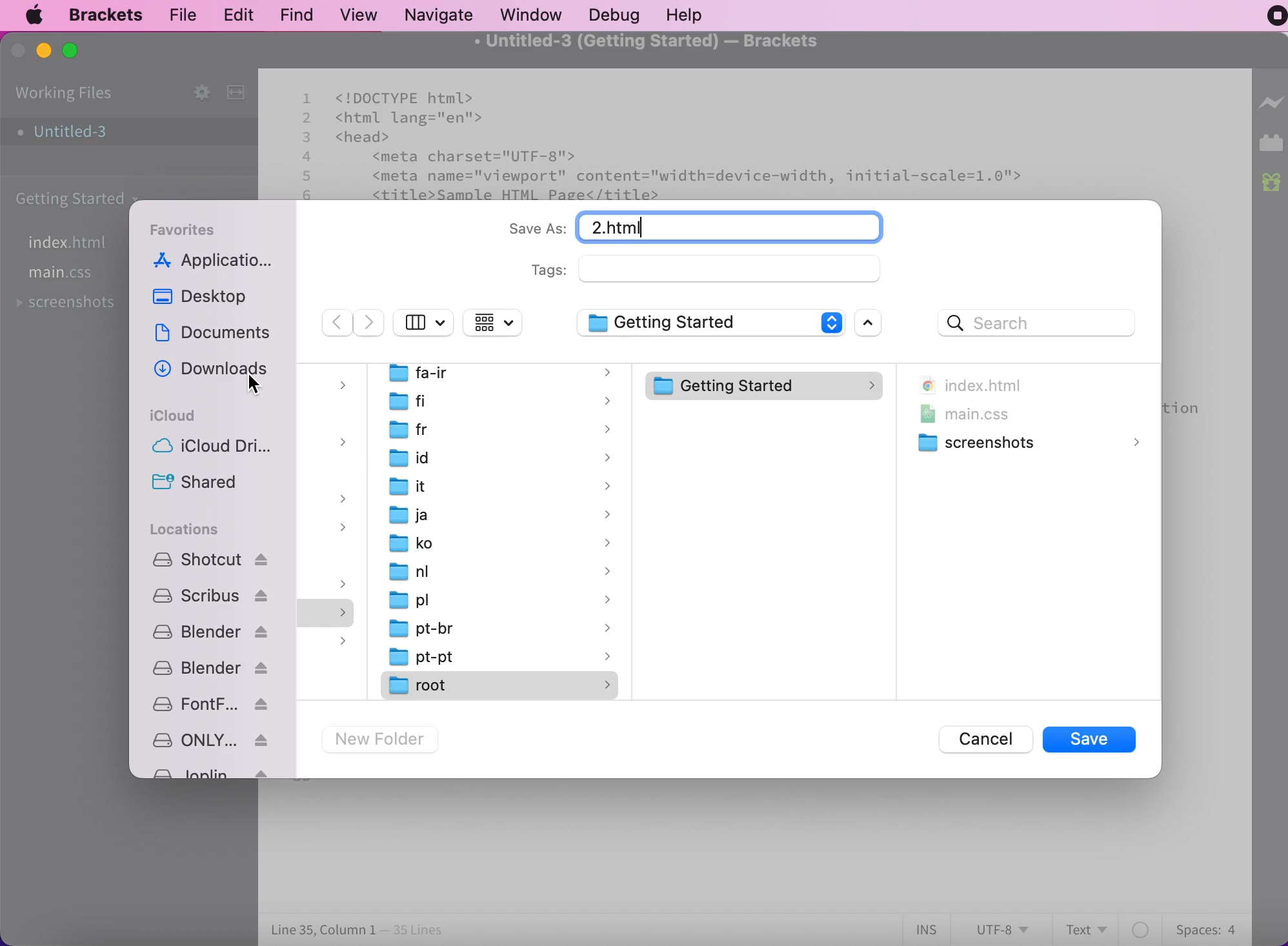 The width and height of the screenshot is (1288, 946). Describe the element at coordinates (500, 683) in the screenshot. I see `root` at that location.